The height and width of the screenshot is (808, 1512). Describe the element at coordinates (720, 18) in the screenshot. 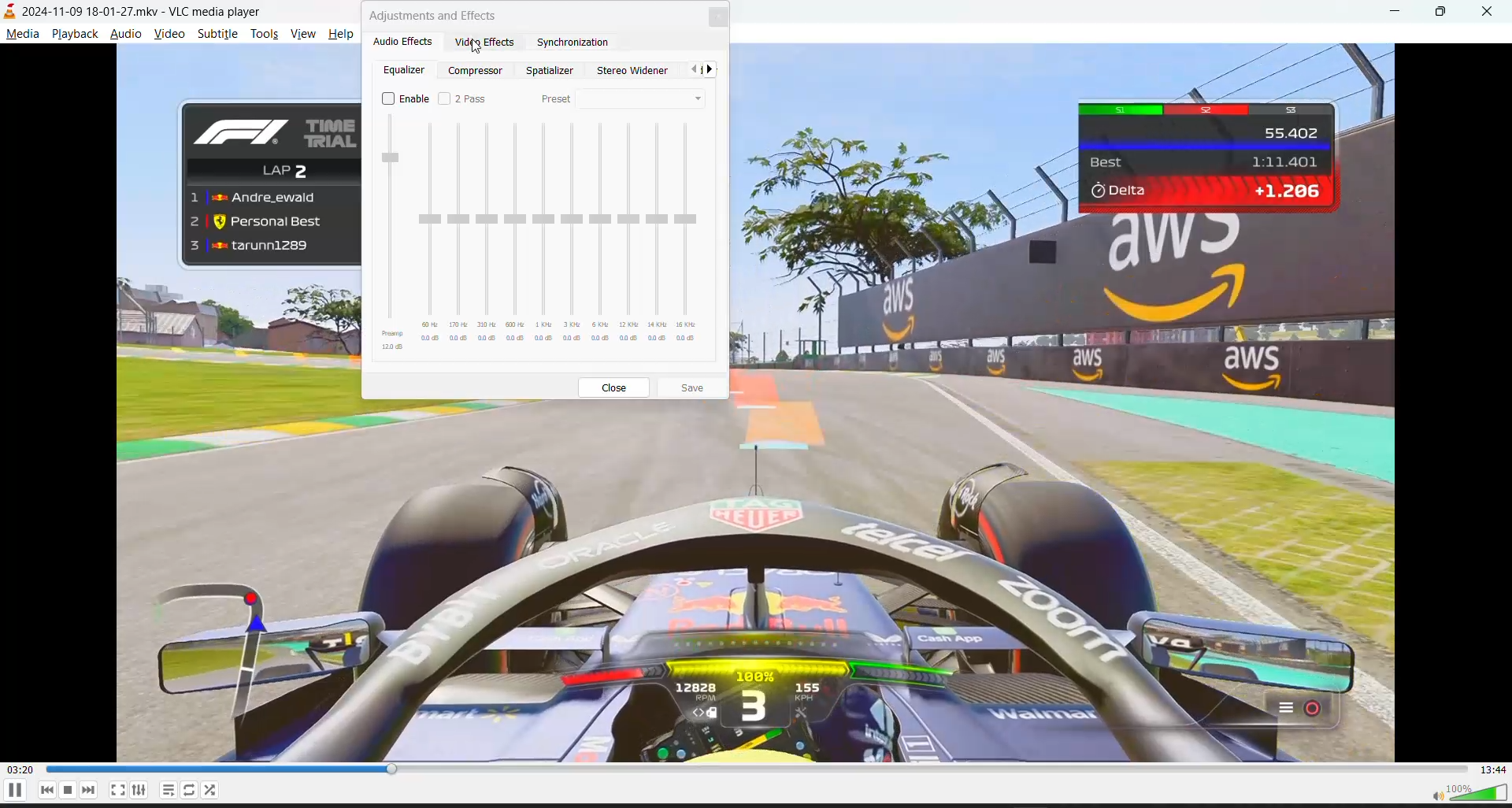

I see `close` at that location.